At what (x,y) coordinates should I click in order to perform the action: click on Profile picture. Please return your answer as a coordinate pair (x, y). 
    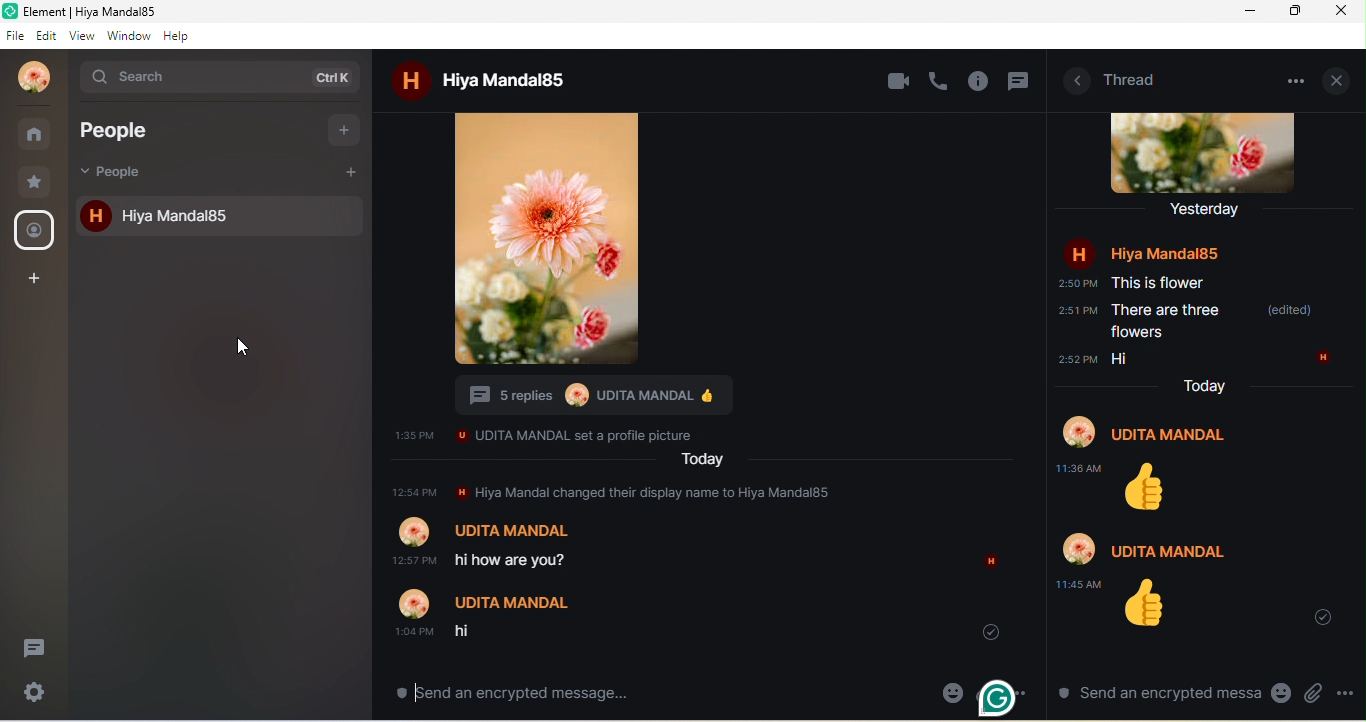
    Looking at the image, I should click on (1078, 433).